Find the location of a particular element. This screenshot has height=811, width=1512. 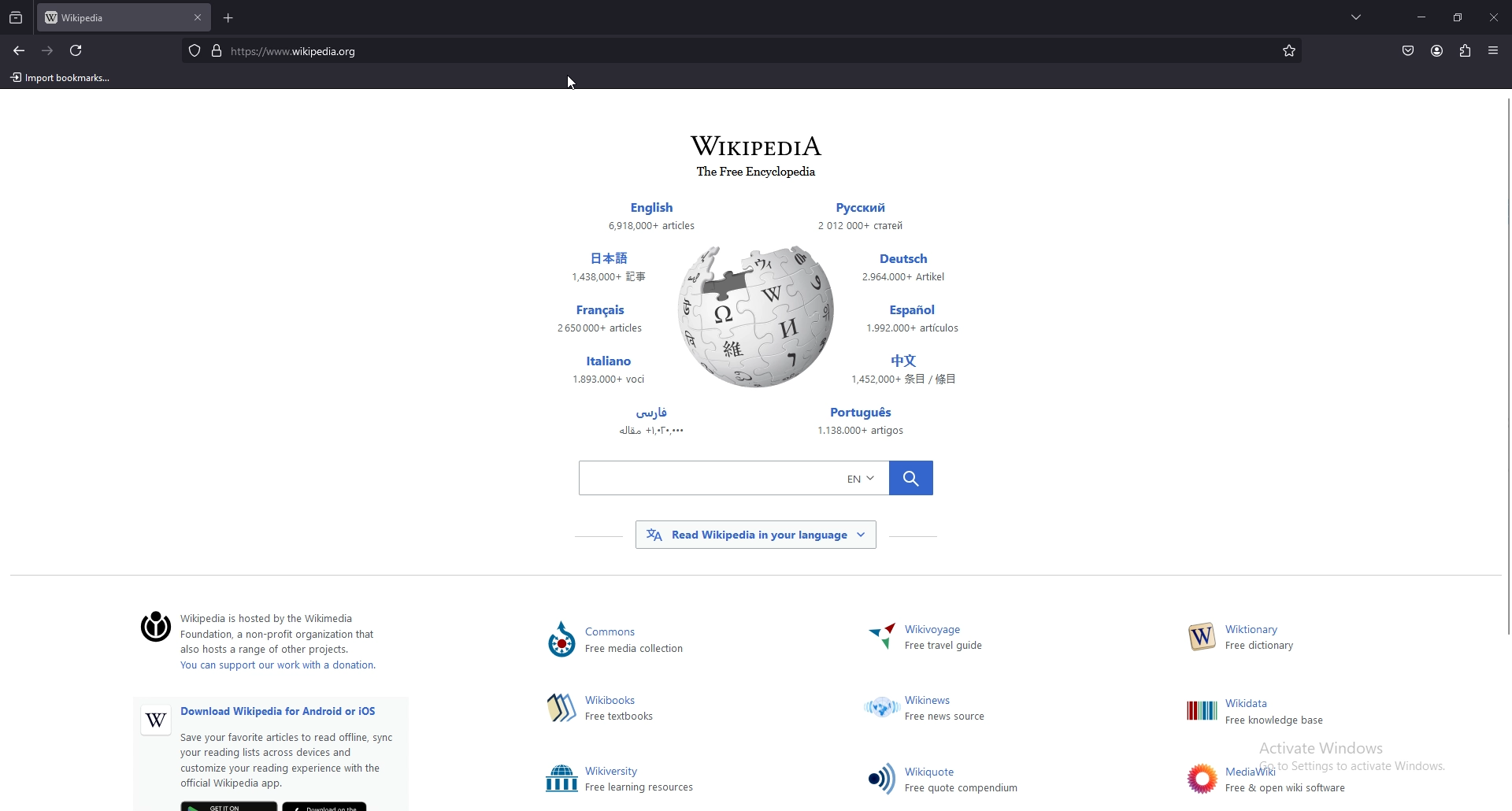

 is located at coordinates (649, 216).